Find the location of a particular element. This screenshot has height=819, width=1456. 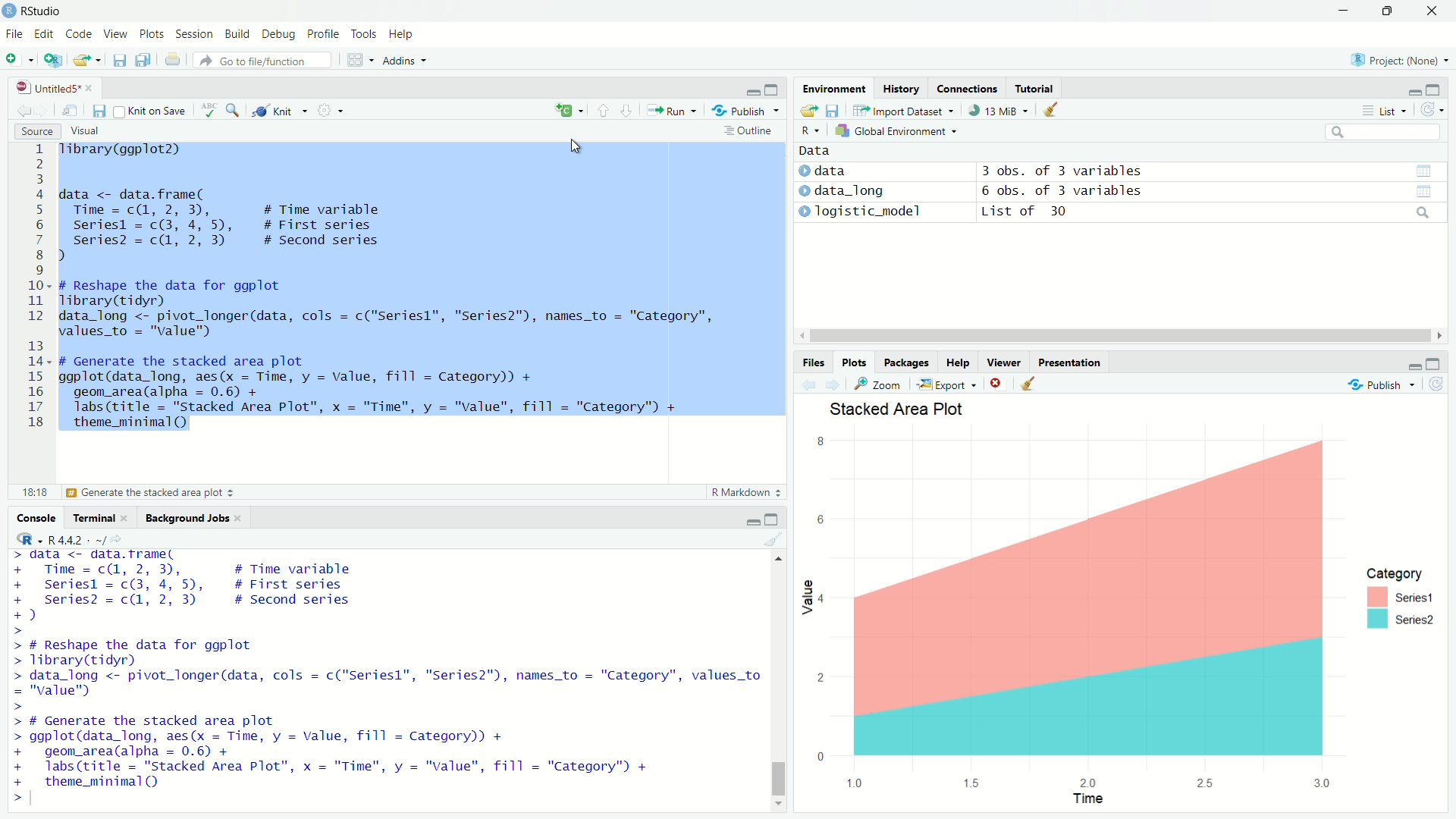

search is located at coordinates (1423, 195).